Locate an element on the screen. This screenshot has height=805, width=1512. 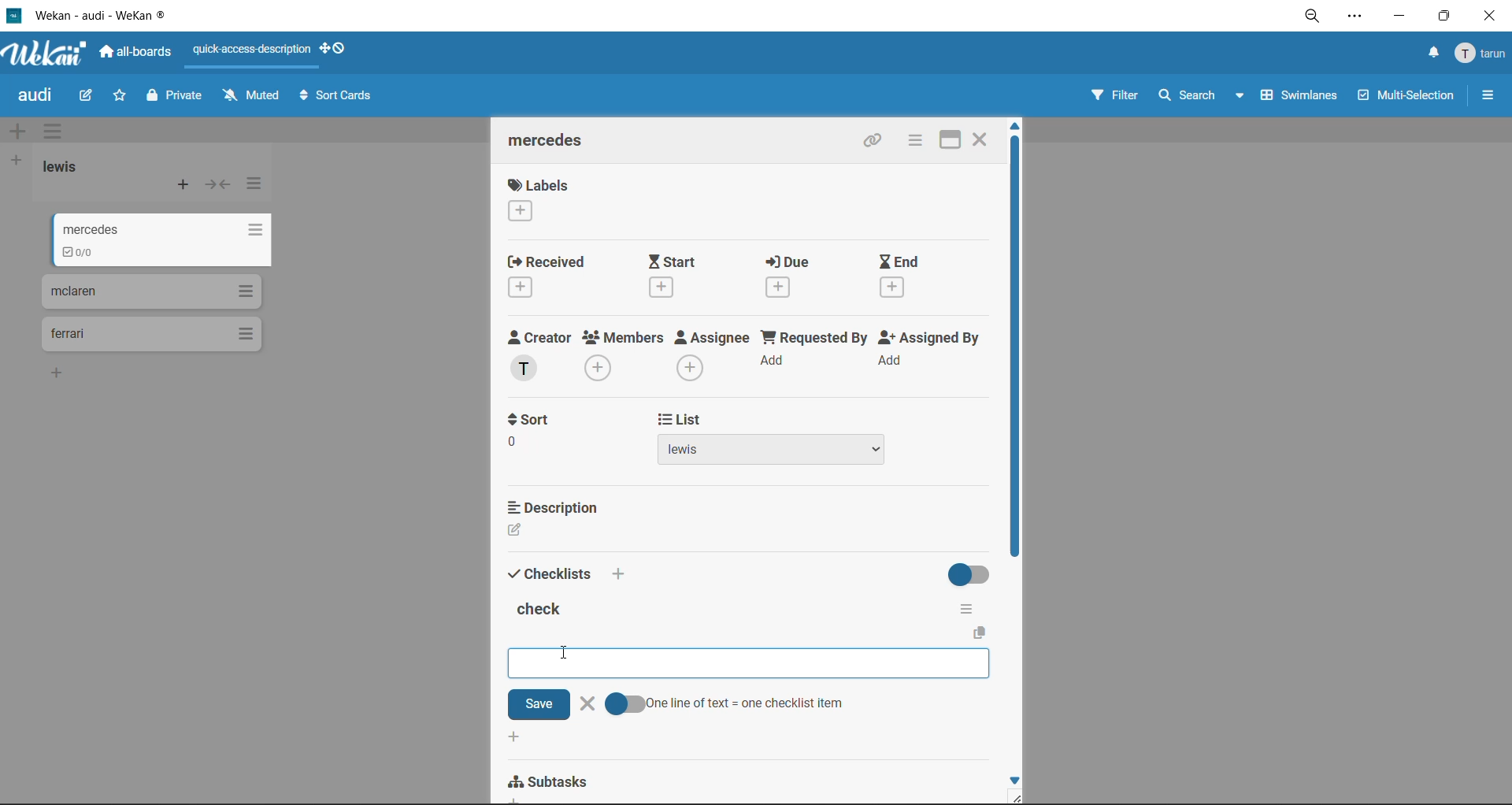
swimlane actions is located at coordinates (57, 133).